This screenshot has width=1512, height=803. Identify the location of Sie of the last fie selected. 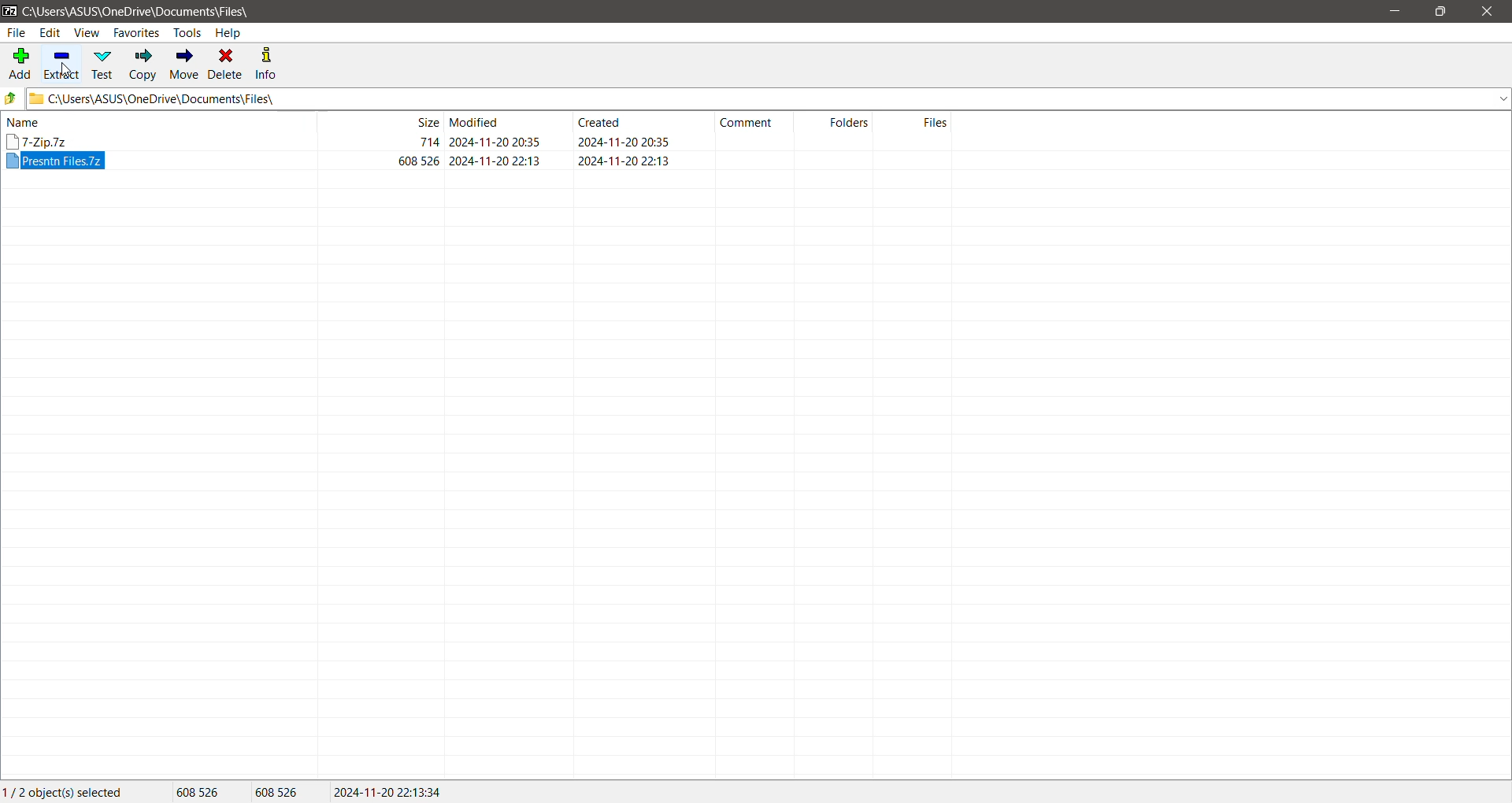
(280, 793).